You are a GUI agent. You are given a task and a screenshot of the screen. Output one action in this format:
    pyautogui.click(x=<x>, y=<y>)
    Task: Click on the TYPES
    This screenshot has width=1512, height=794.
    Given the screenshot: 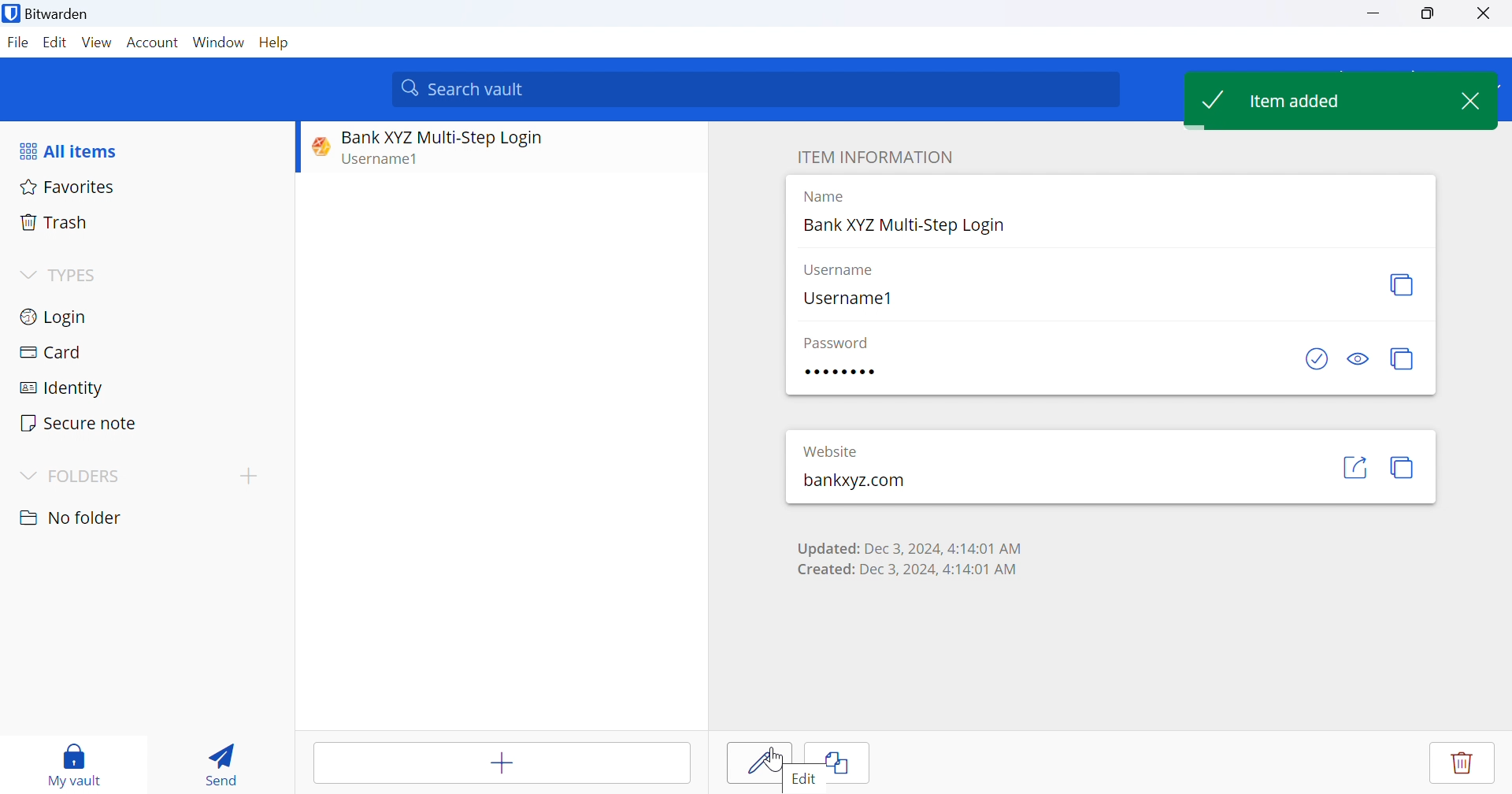 What is the action you would take?
    pyautogui.click(x=77, y=276)
    